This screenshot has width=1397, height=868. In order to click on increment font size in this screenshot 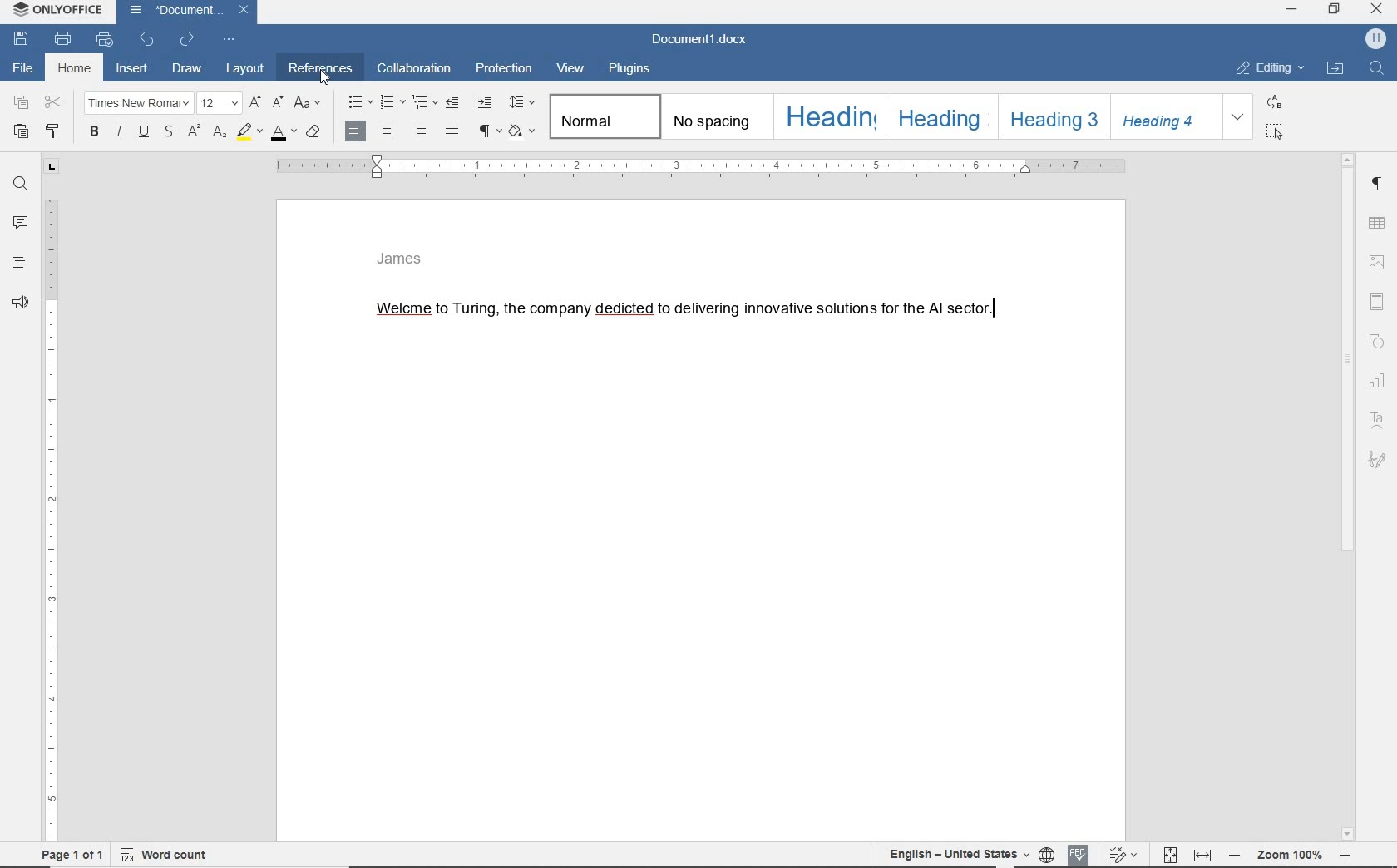, I will do `click(254, 104)`.